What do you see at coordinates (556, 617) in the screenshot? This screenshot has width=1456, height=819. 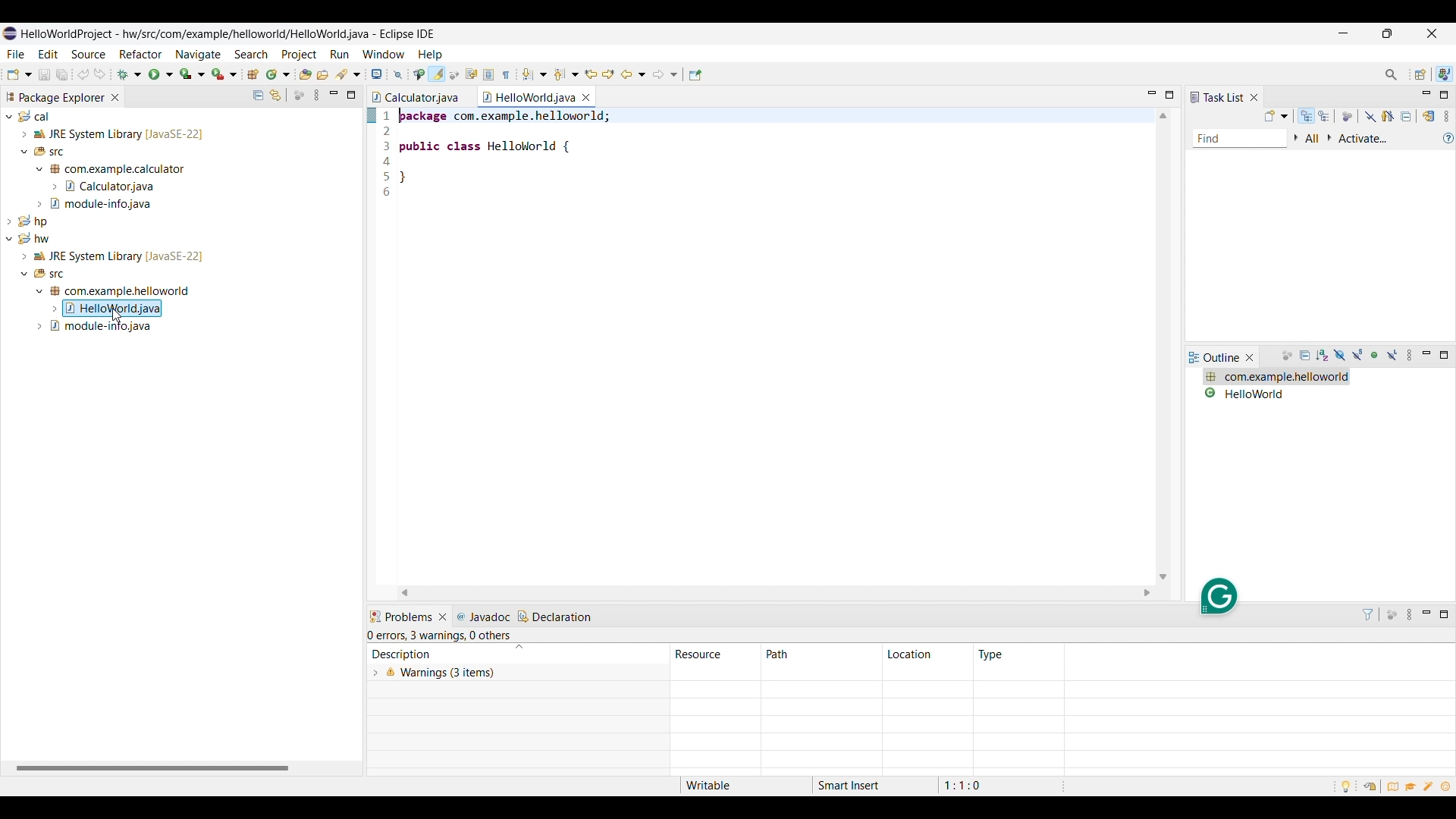 I see `Declaration tab` at bounding box center [556, 617].